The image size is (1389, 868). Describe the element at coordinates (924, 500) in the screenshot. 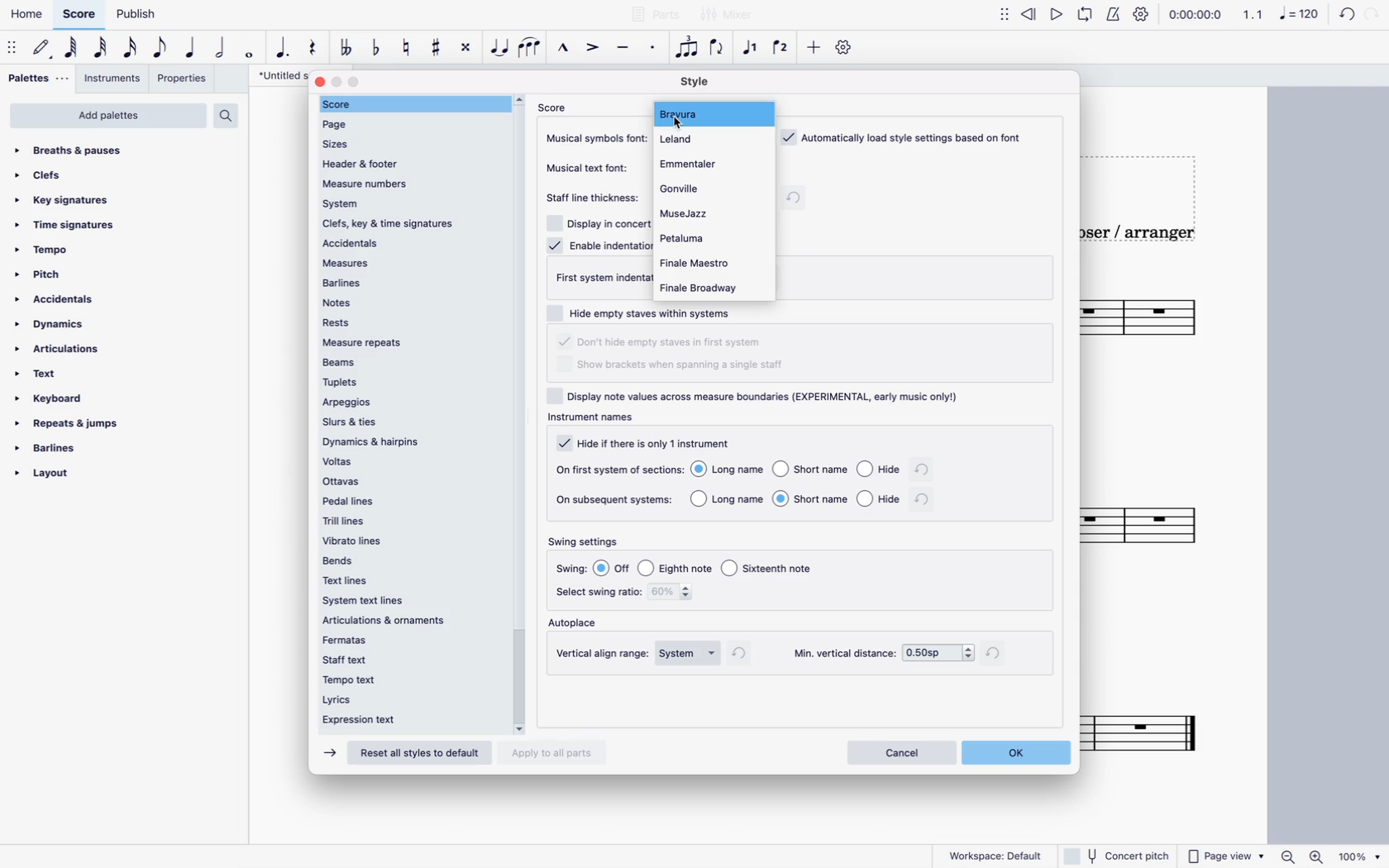

I see `refresh` at that location.